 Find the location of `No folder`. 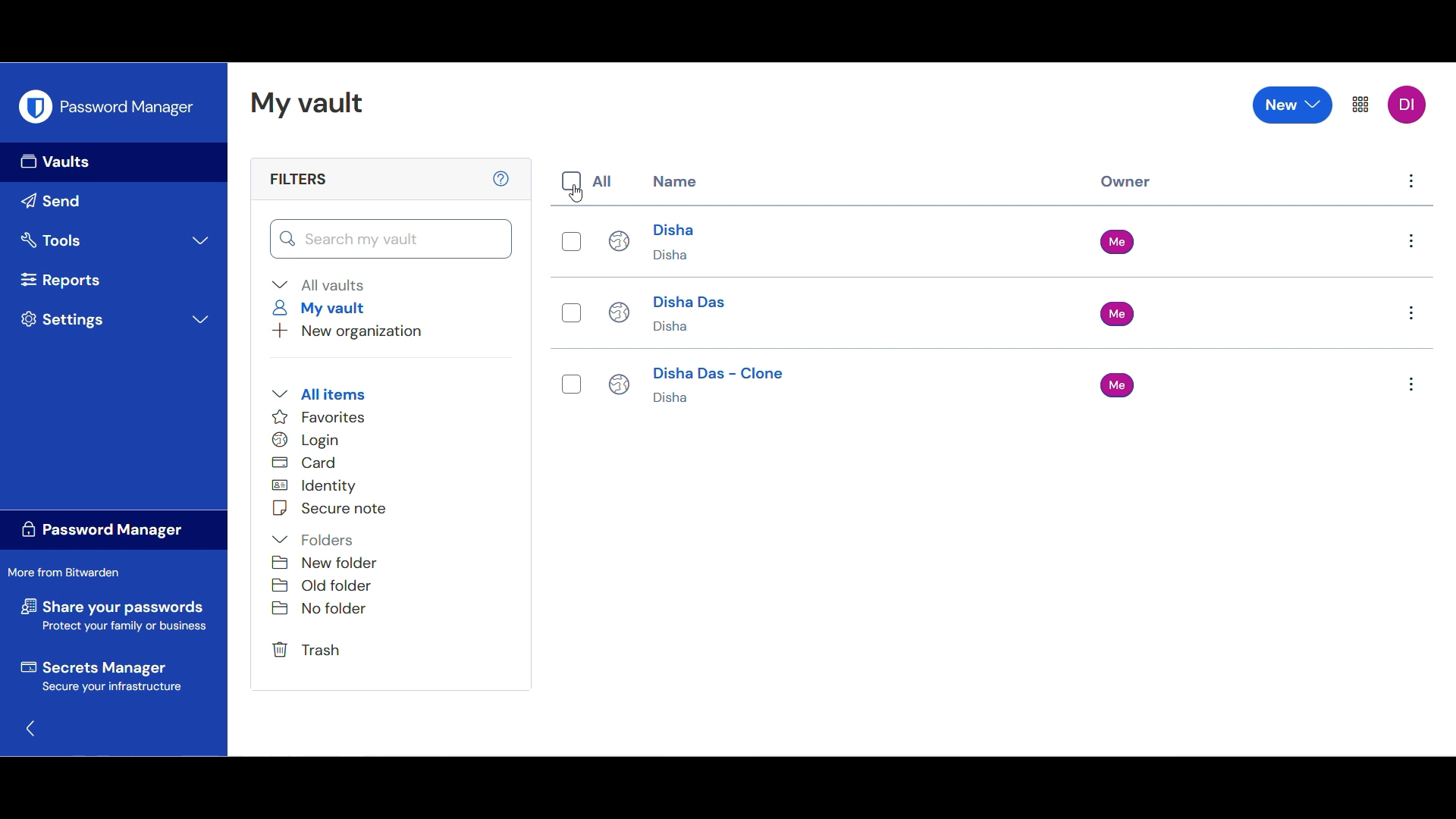

No folder is located at coordinates (317, 611).